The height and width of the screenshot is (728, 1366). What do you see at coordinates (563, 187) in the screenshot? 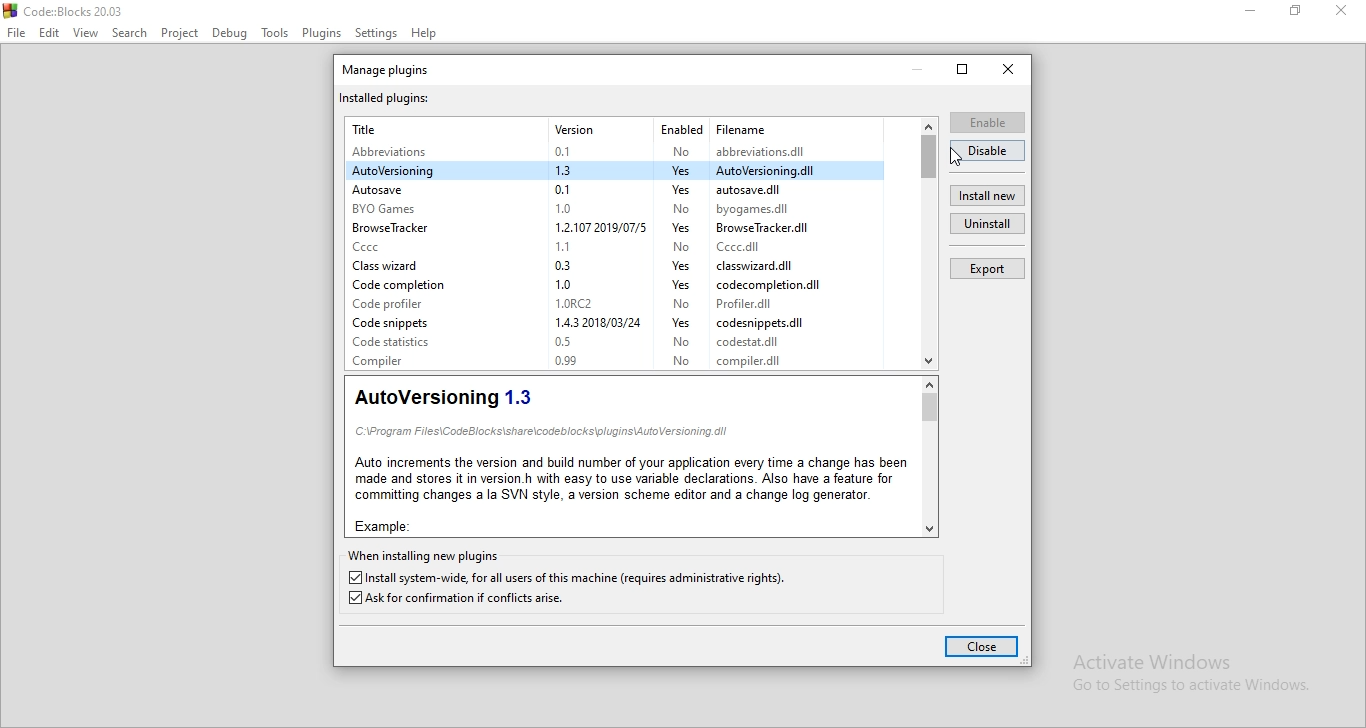
I see `0.1` at bounding box center [563, 187].